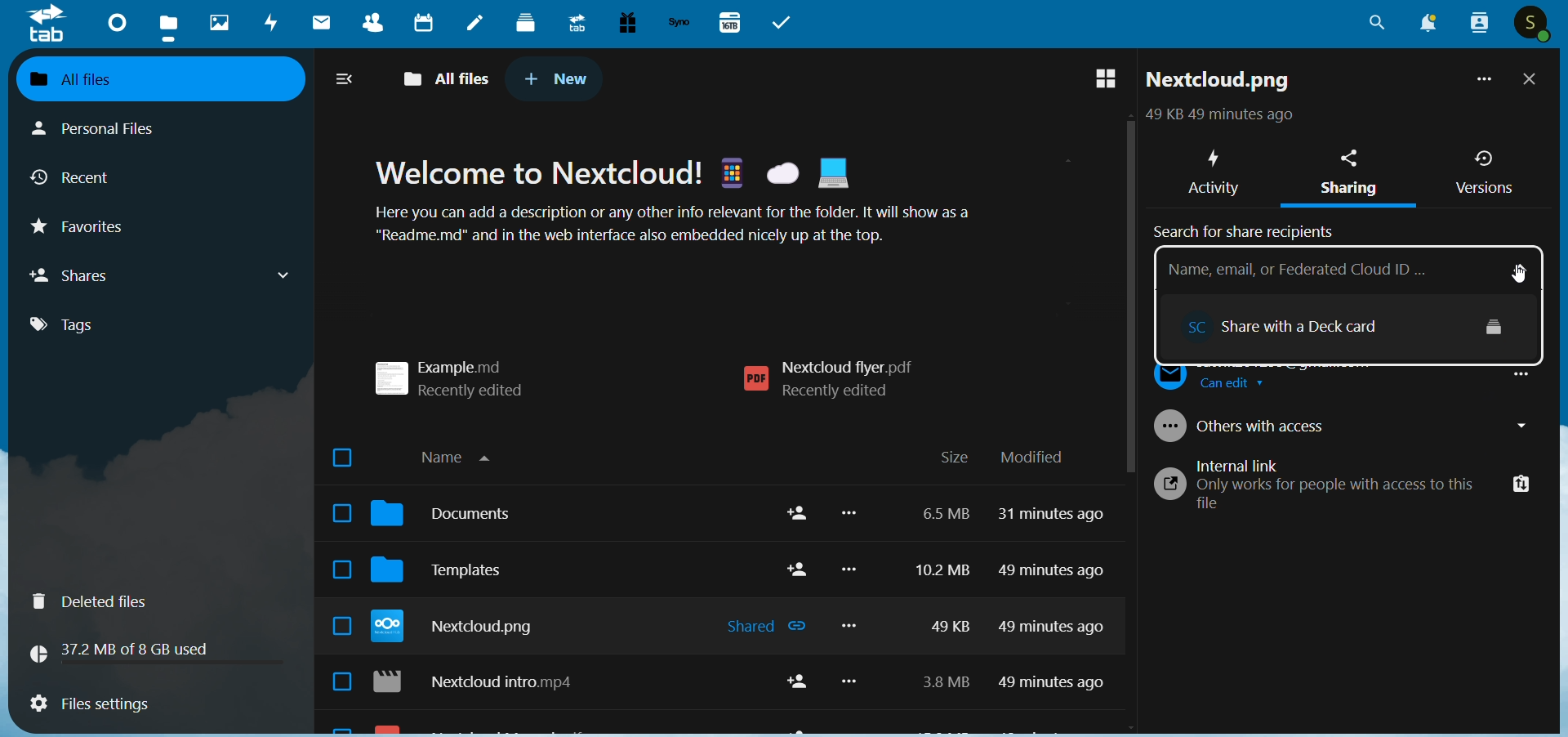 The width and height of the screenshot is (1568, 737). Describe the element at coordinates (483, 685) in the screenshot. I see `nextcloud intro ` at that location.